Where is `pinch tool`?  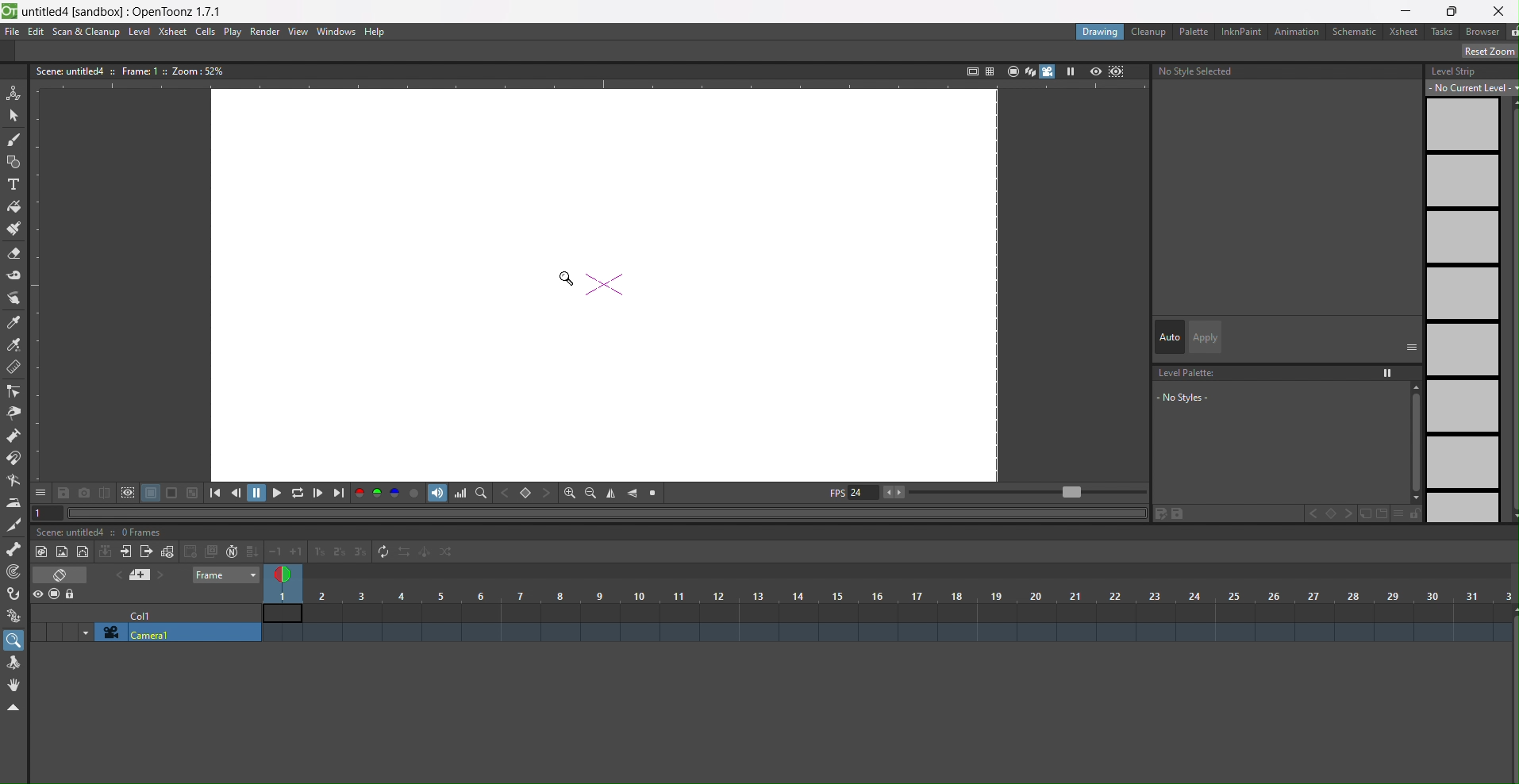
pinch tool is located at coordinates (17, 412).